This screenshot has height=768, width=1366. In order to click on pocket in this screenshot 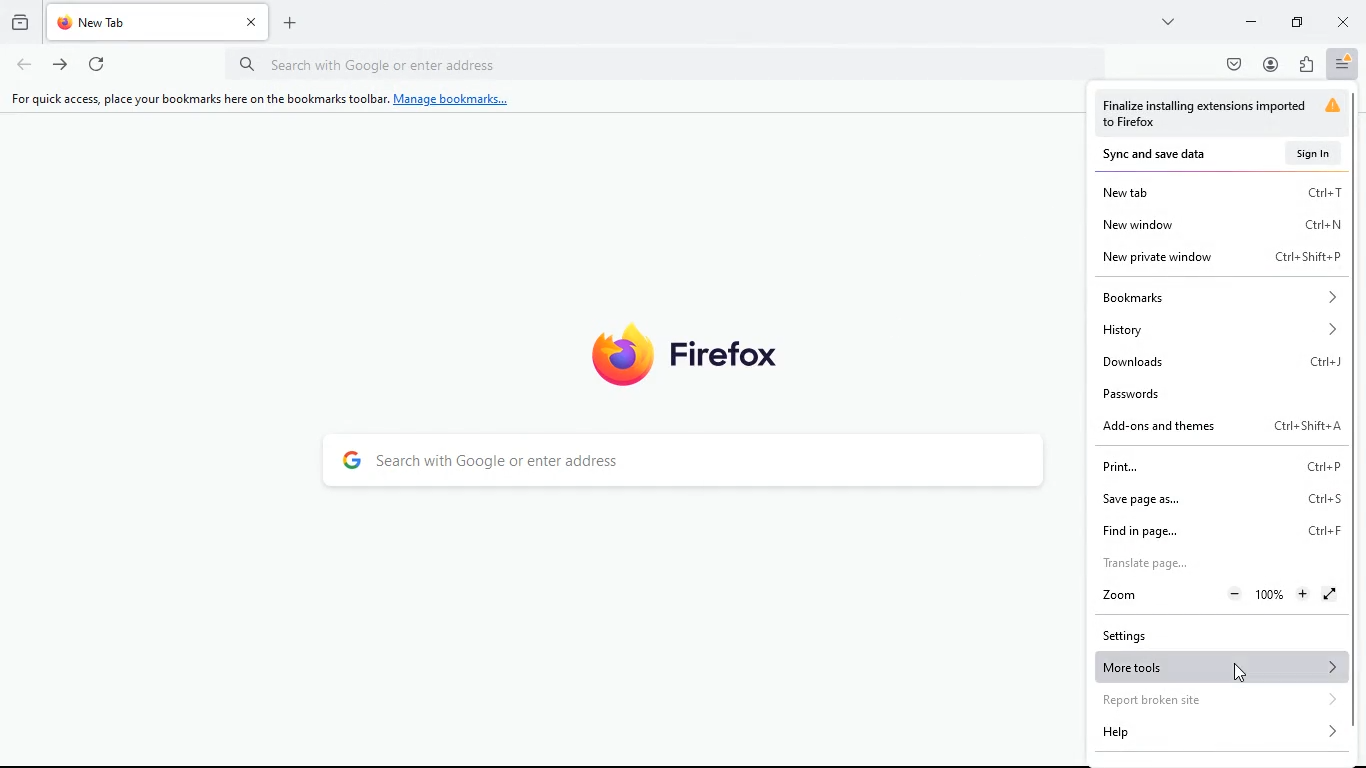, I will do `click(1234, 64)`.